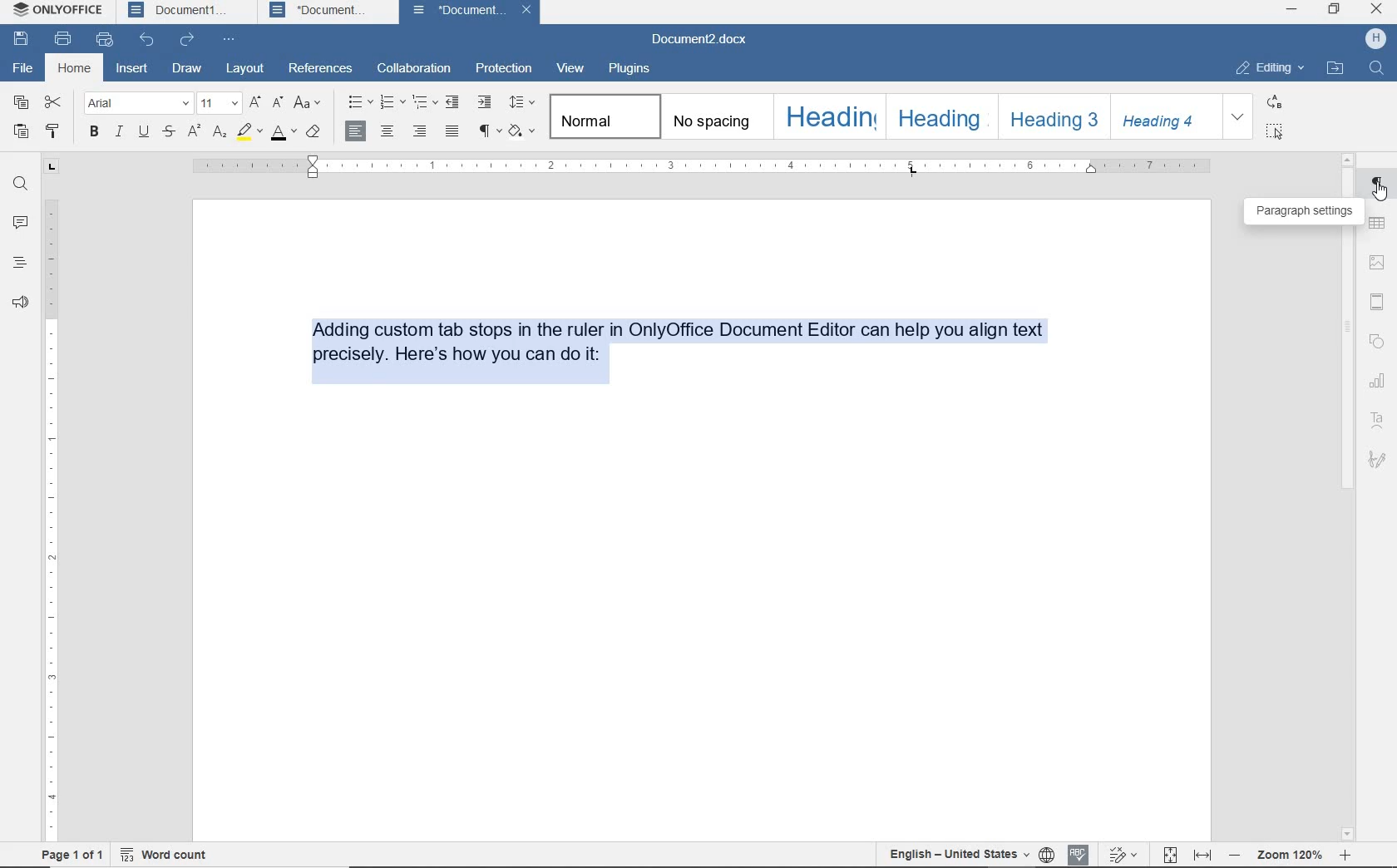  Describe the element at coordinates (52, 501) in the screenshot. I see `ruler` at that location.